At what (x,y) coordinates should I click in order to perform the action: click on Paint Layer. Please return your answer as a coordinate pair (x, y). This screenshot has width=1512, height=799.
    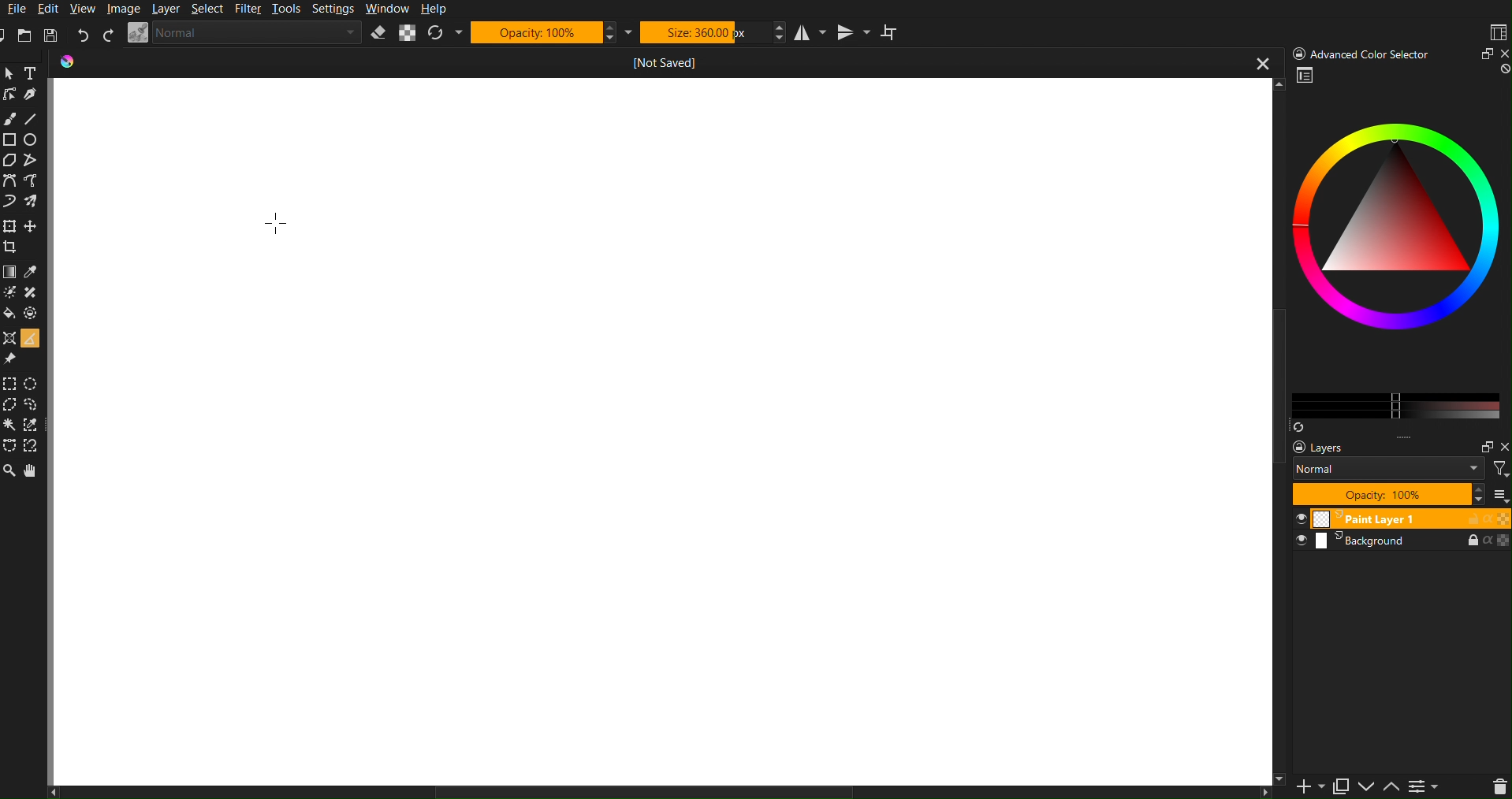
    Looking at the image, I should click on (1402, 519).